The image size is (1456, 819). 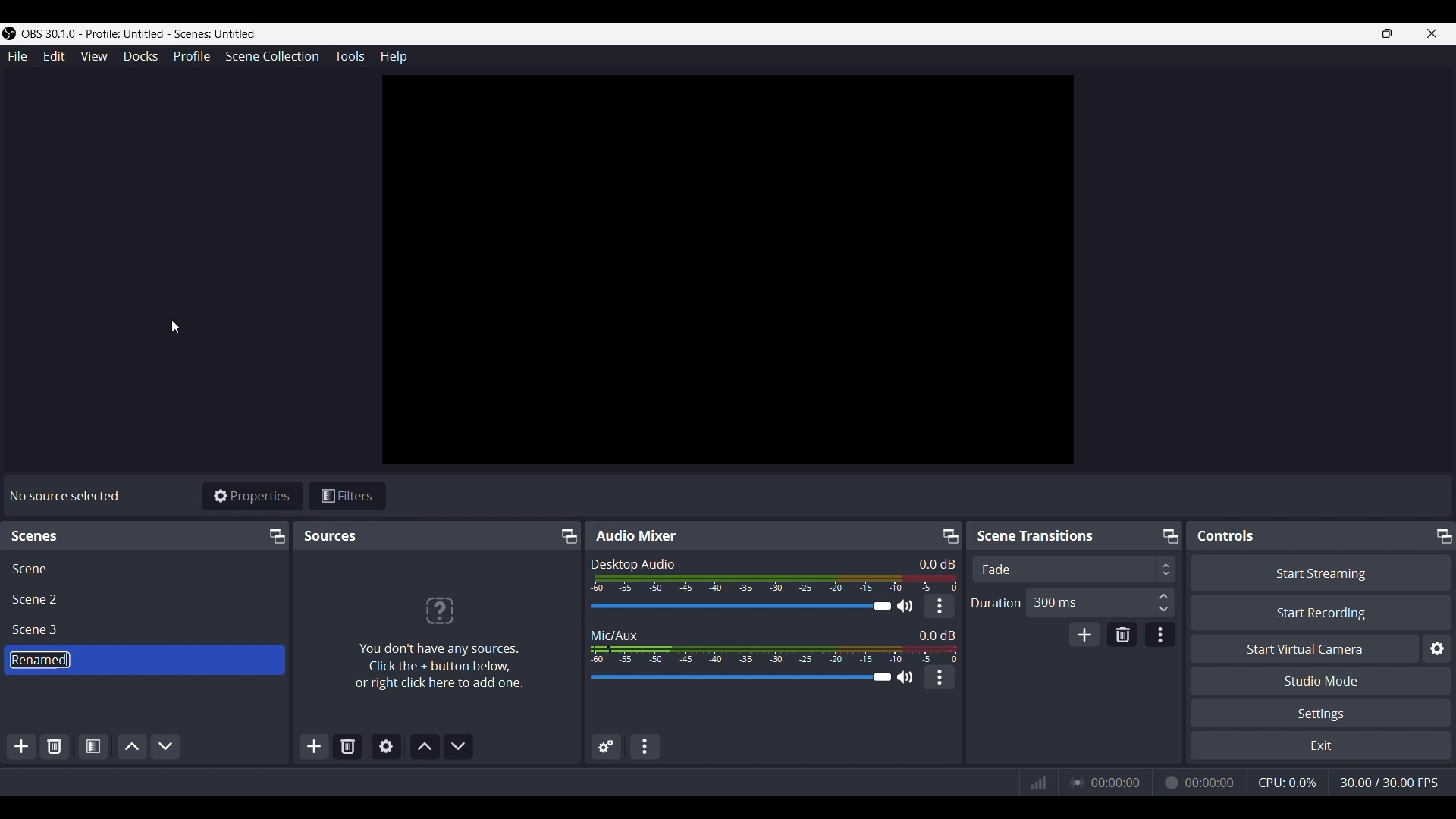 What do you see at coordinates (331, 535) in the screenshot?
I see `Sources` at bounding box center [331, 535].